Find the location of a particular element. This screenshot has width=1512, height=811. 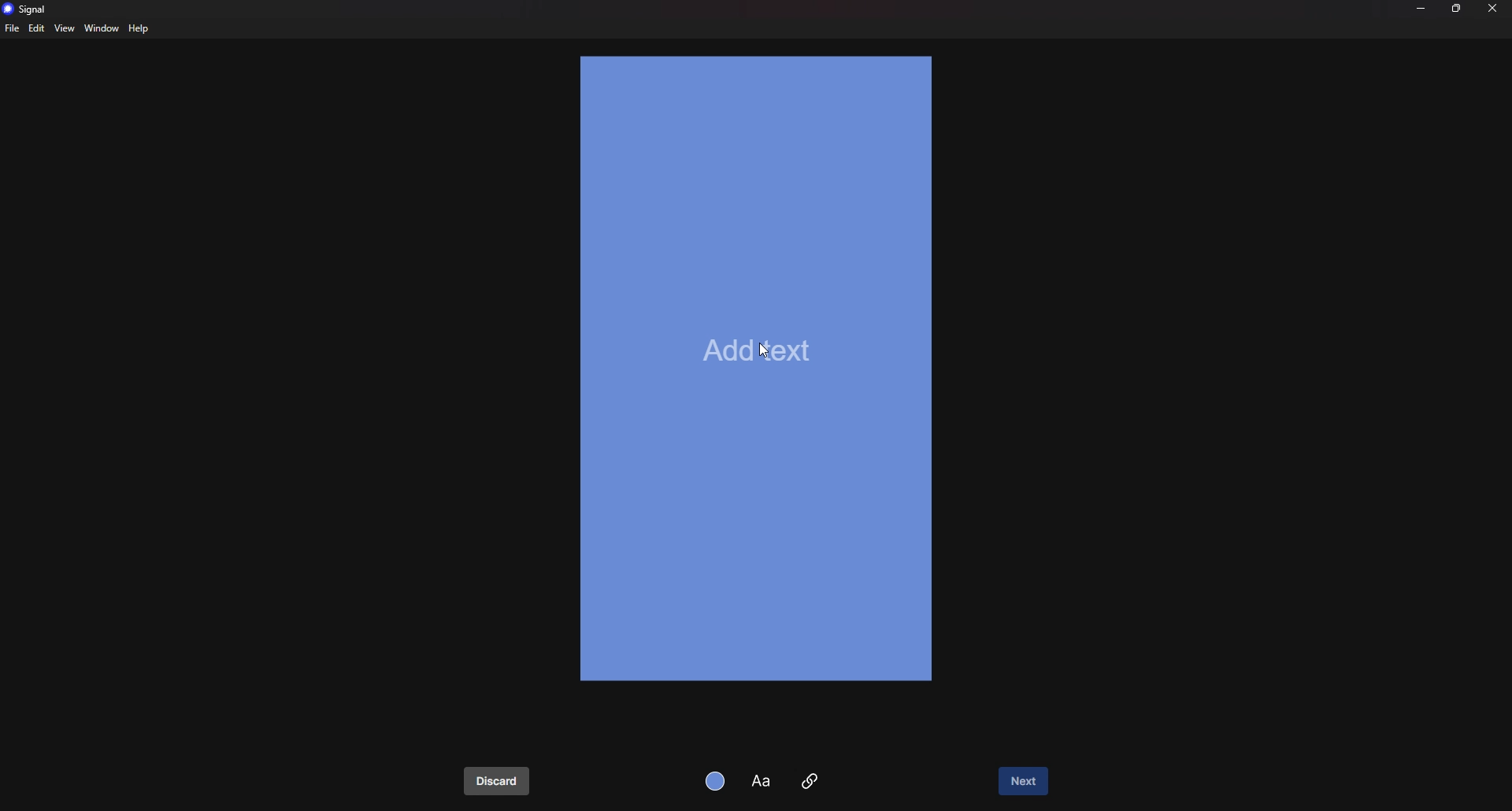

attachment is located at coordinates (810, 780).